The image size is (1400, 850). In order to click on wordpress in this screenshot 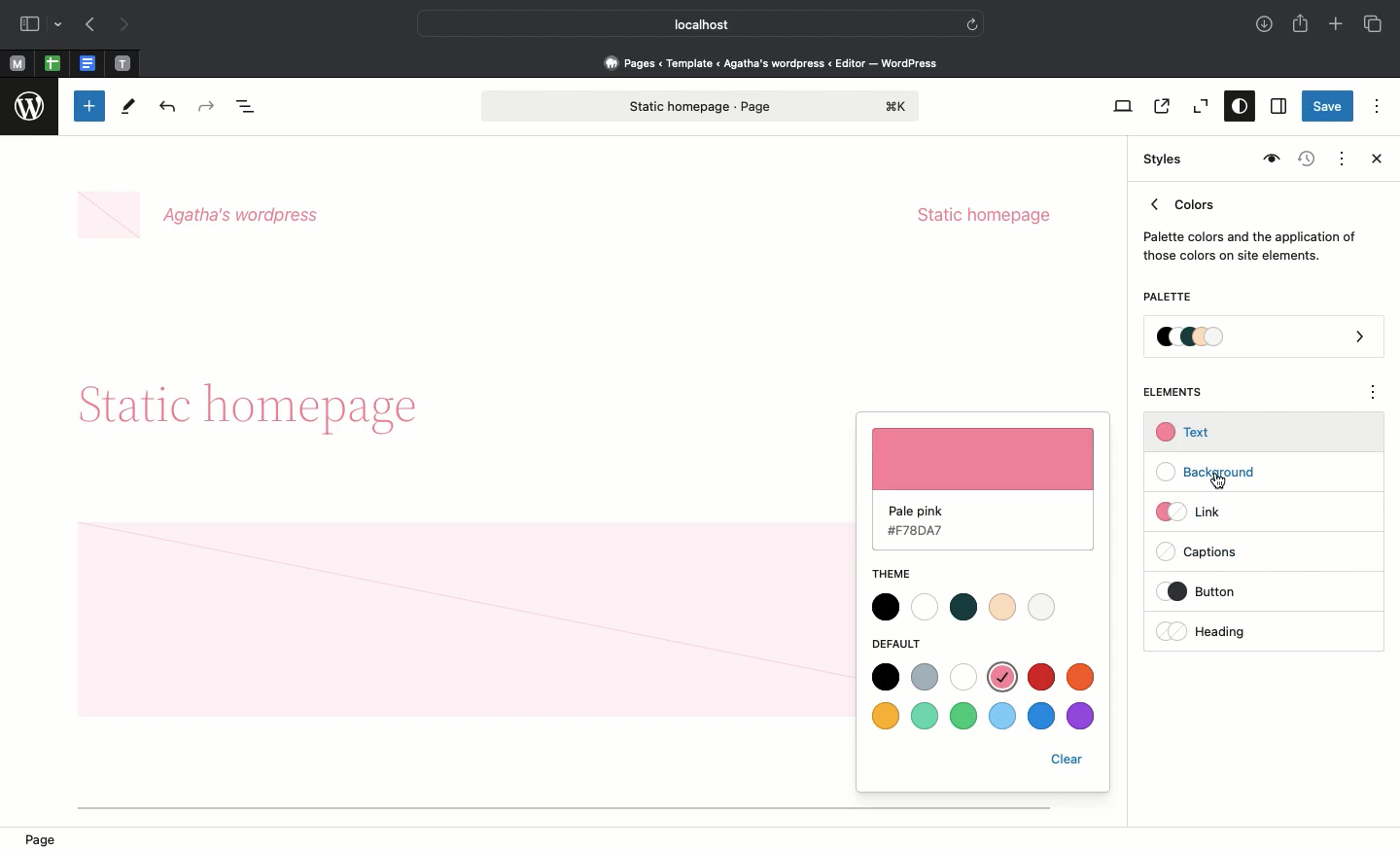, I will do `click(30, 107)`.